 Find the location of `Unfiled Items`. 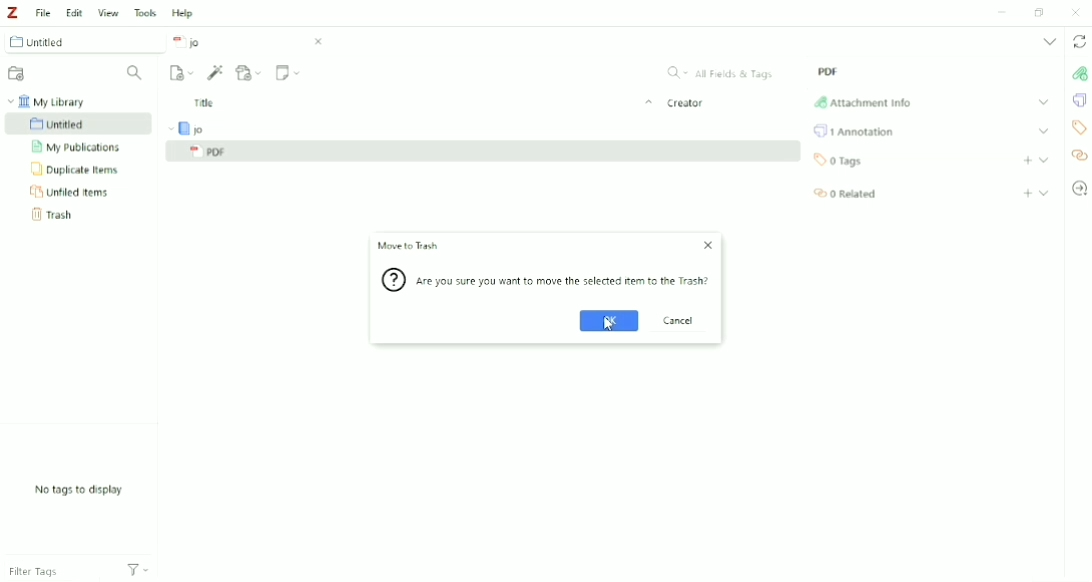

Unfiled Items is located at coordinates (69, 192).